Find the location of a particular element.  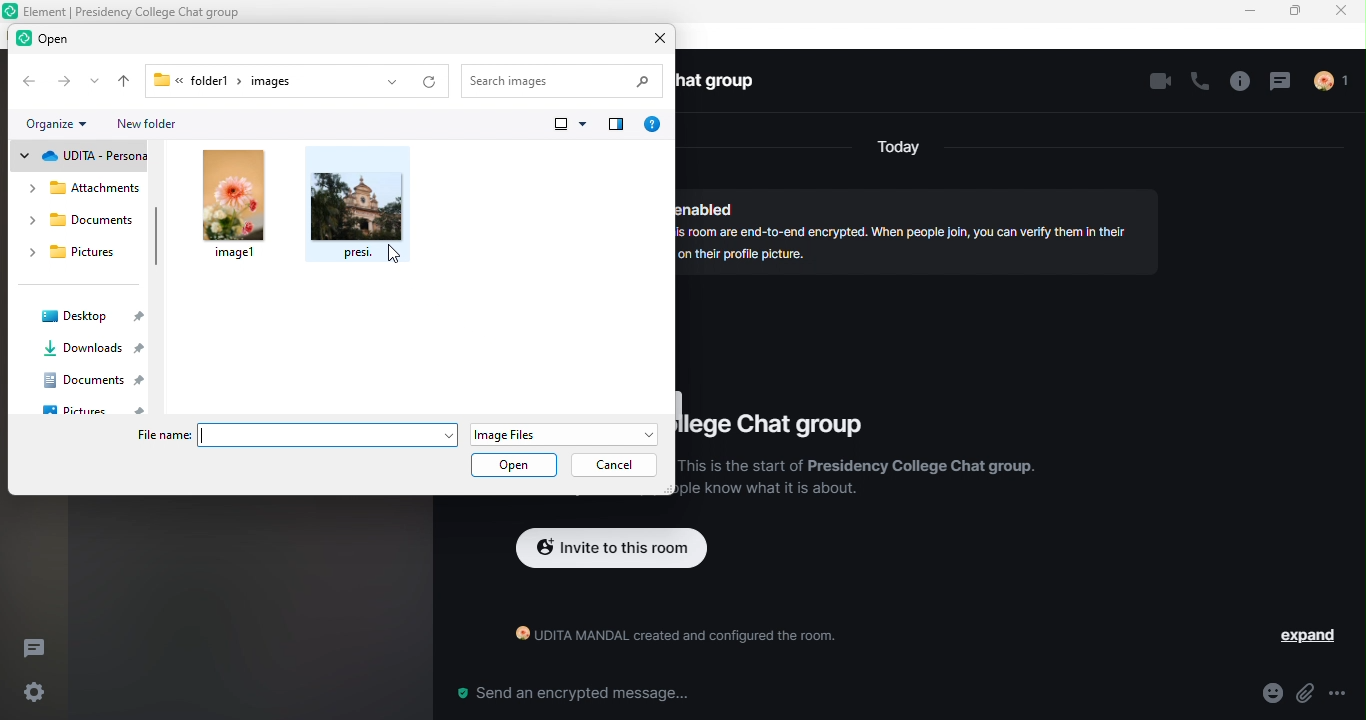

forward is located at coordinates (66, 81).